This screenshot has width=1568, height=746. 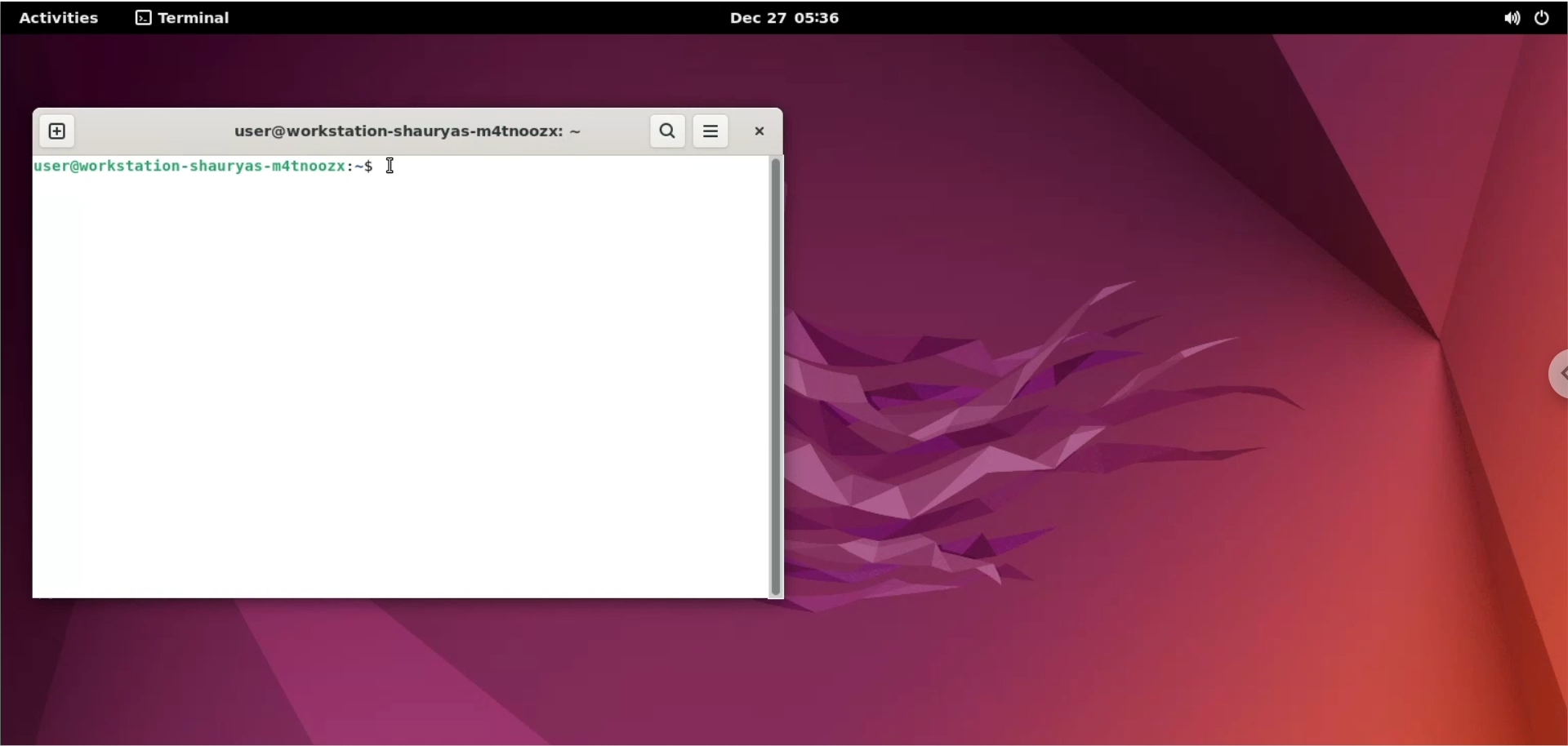 What do you see at coordinates (666, 132) in the screenshot?
I see `search button` at bounding box center [666, 132].